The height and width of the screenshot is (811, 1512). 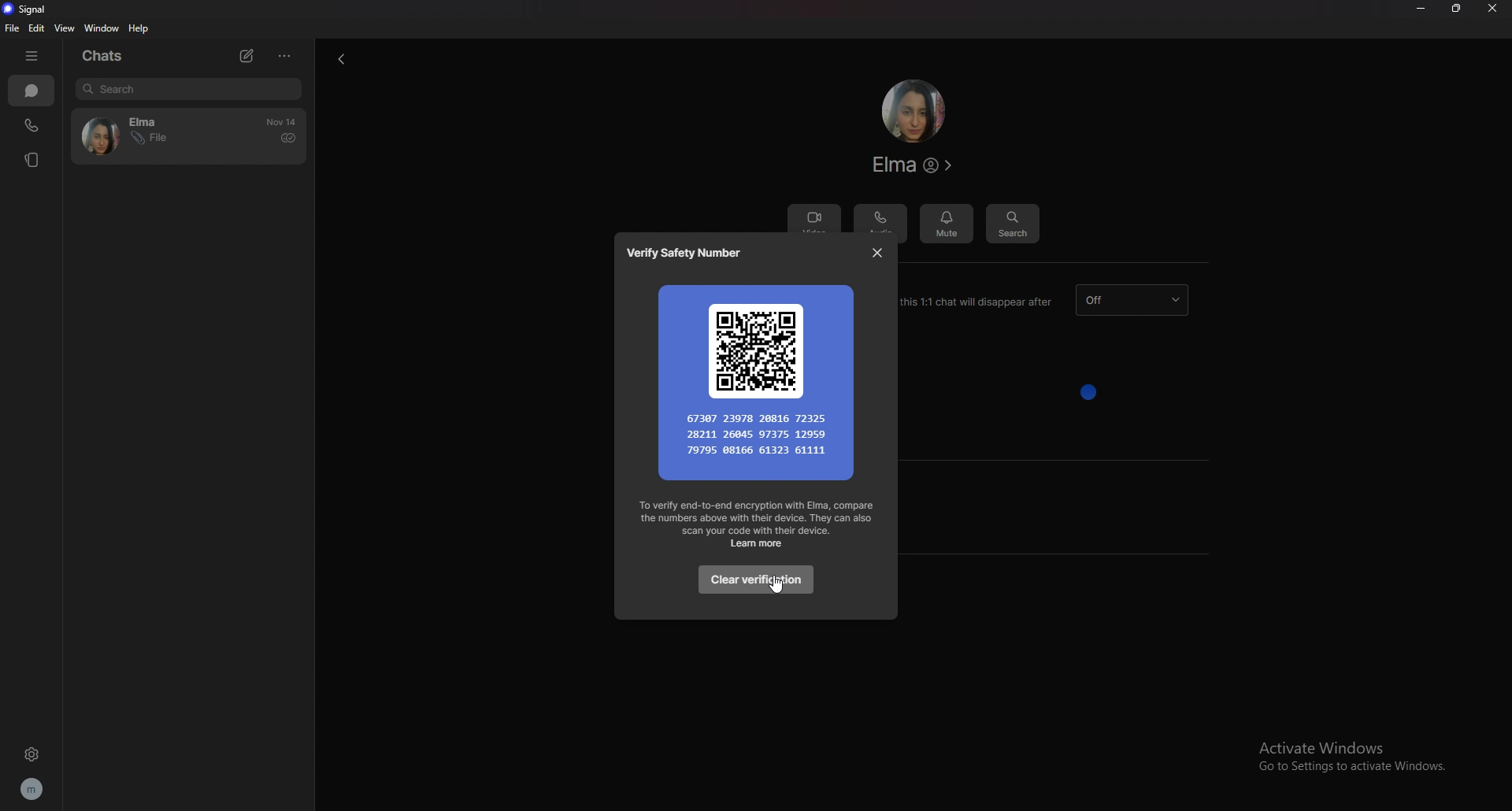 I want to click on close, so click(x=877, y=252).